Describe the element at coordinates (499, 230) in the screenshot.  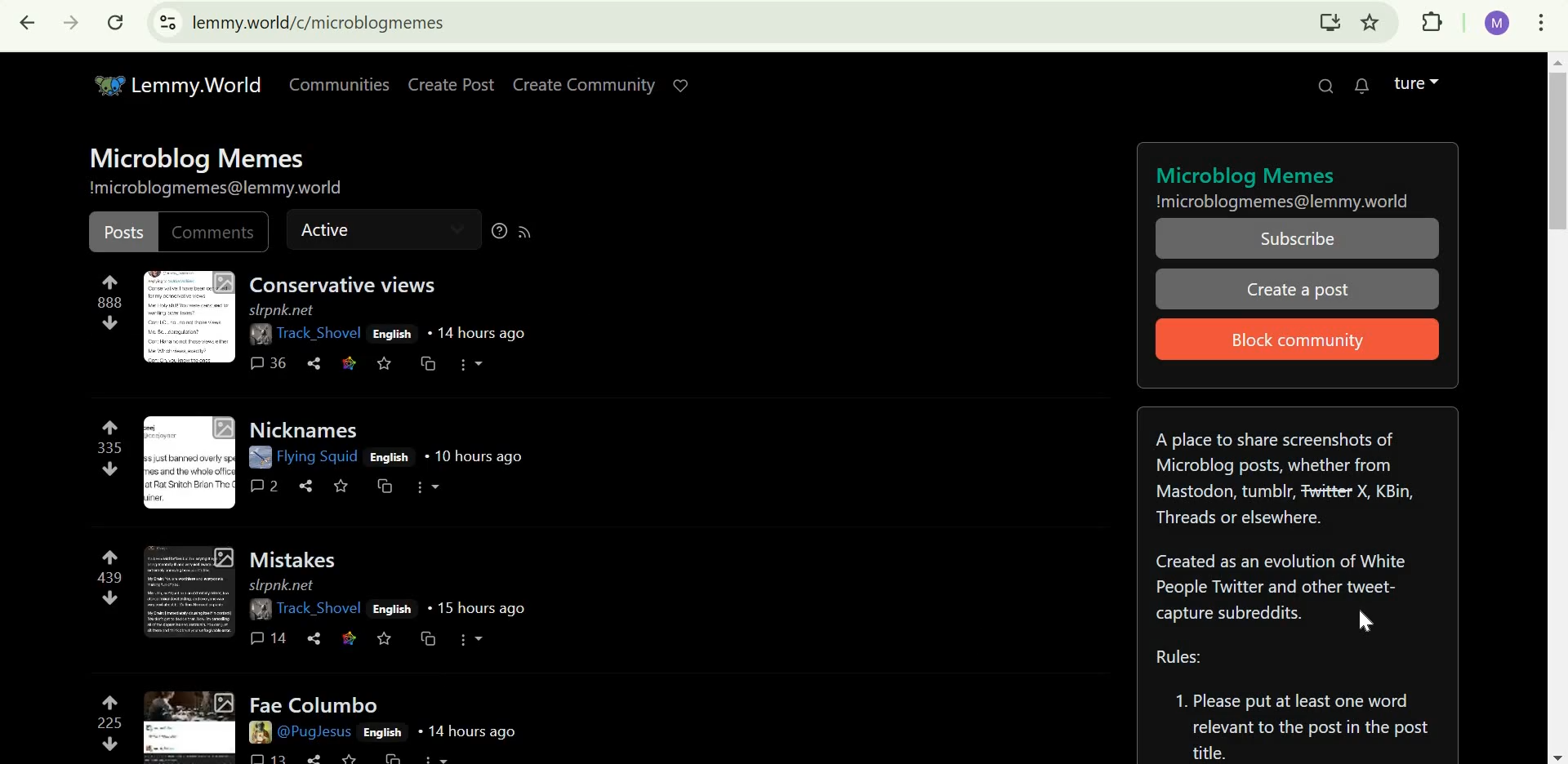
I see `sorting help` at that location.